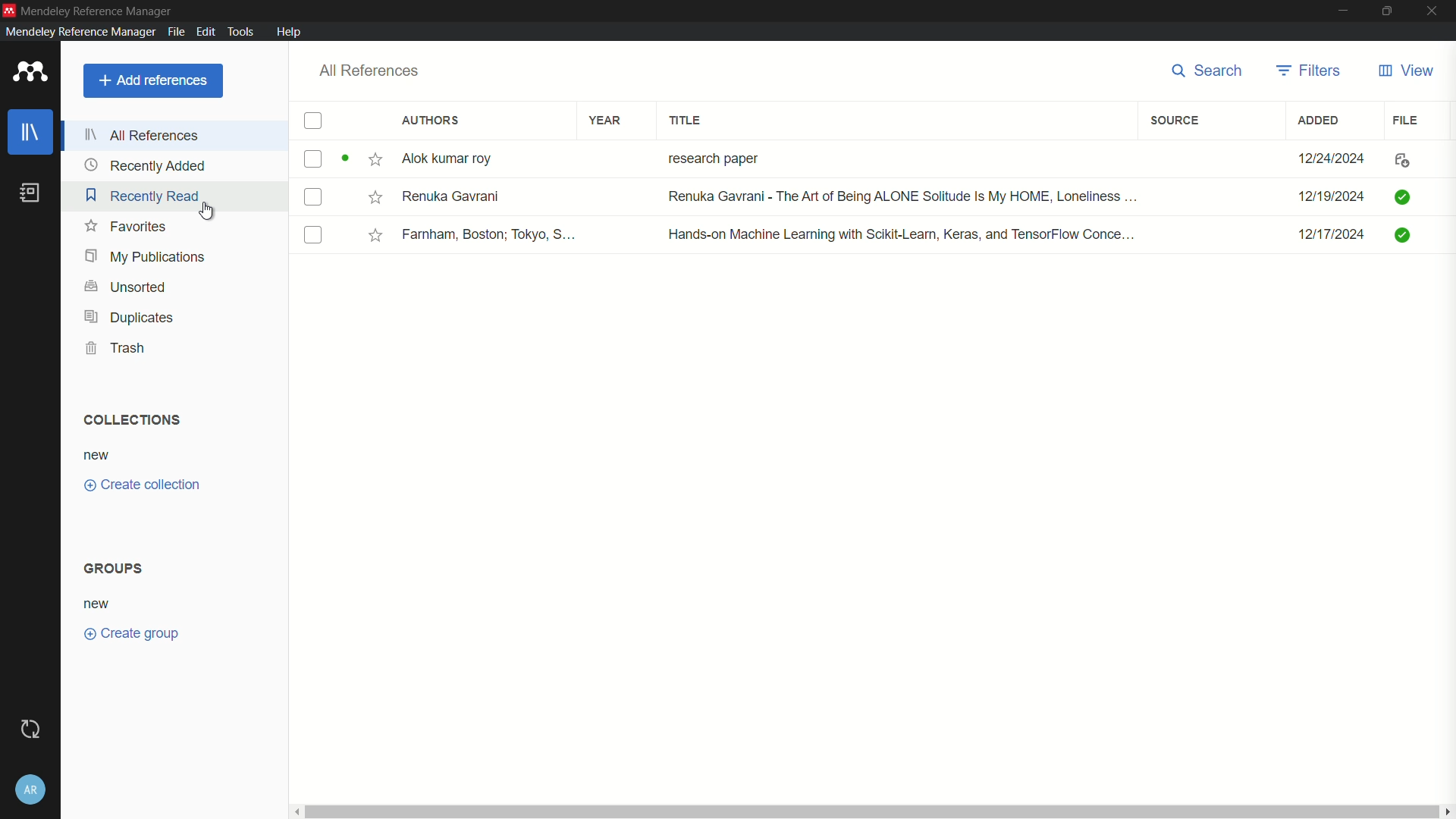 This screenshot has height=819, width=1456. Describe the element at coordinates (1310, 72) in the screenshot. I see `filters` at that location.